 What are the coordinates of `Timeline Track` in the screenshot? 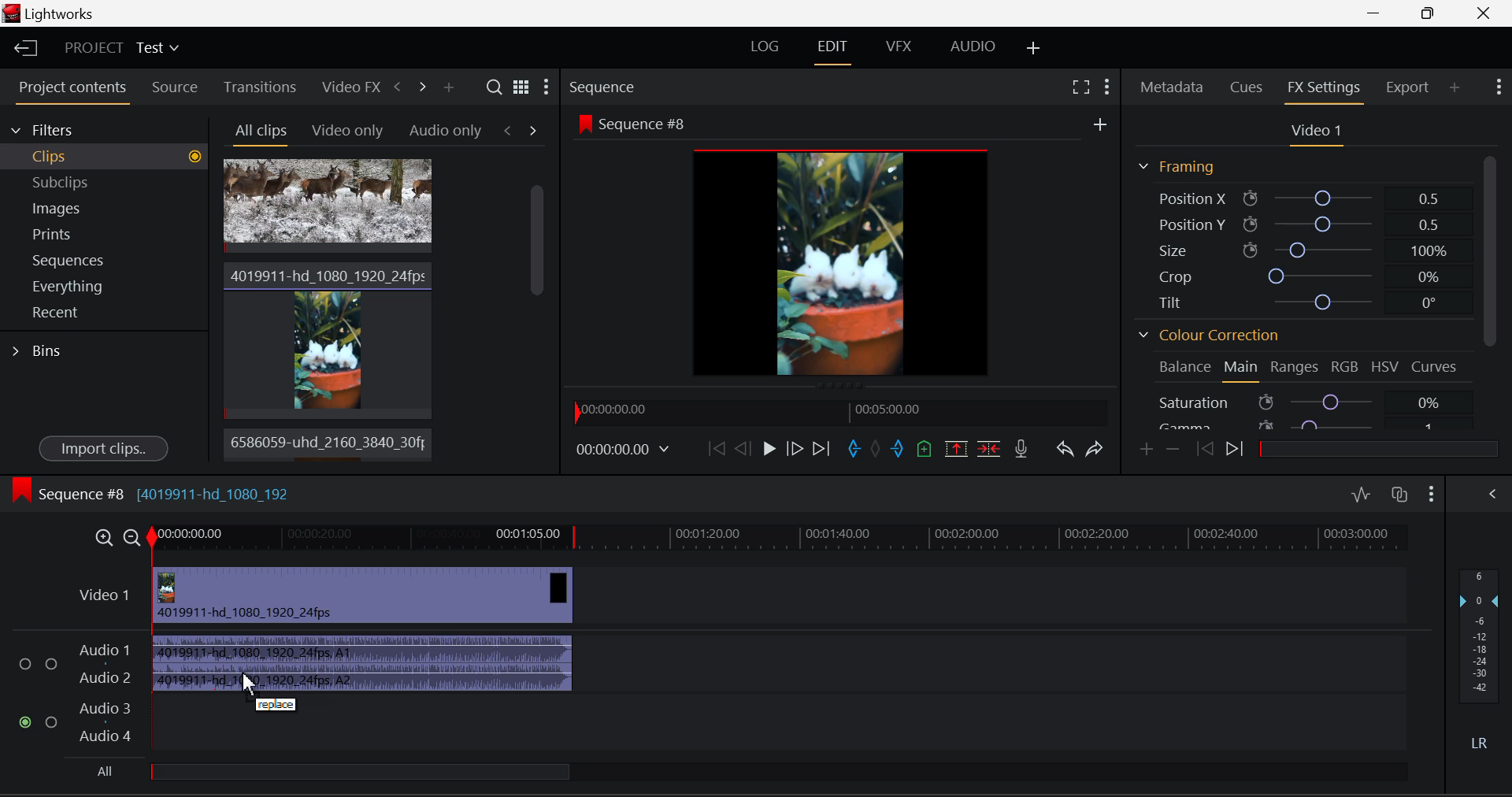 It's located at (781, 541).